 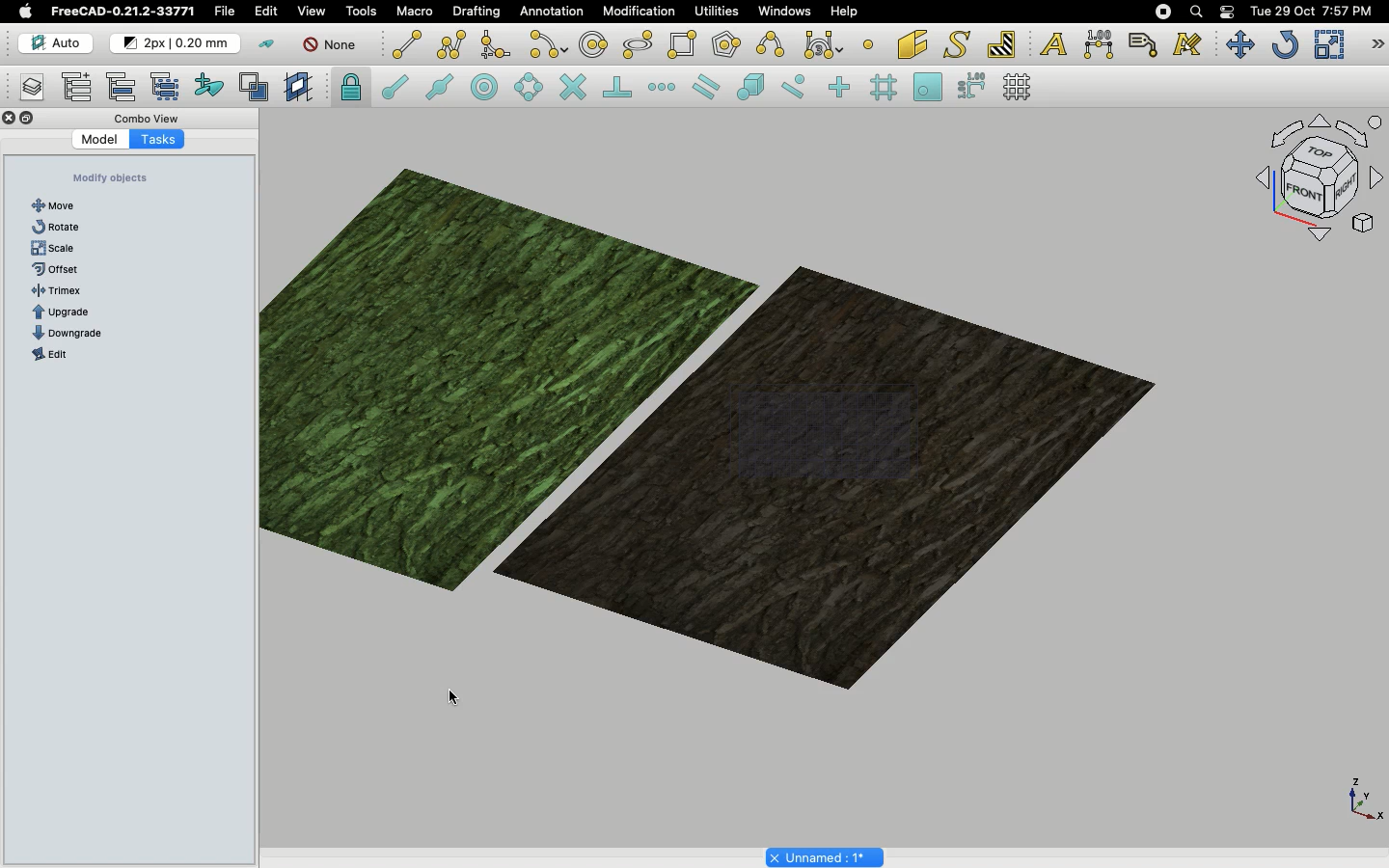 What do you see at coordinates (844, 11) in the screenshot?
I see `Help` at bounding box center [844, 11].